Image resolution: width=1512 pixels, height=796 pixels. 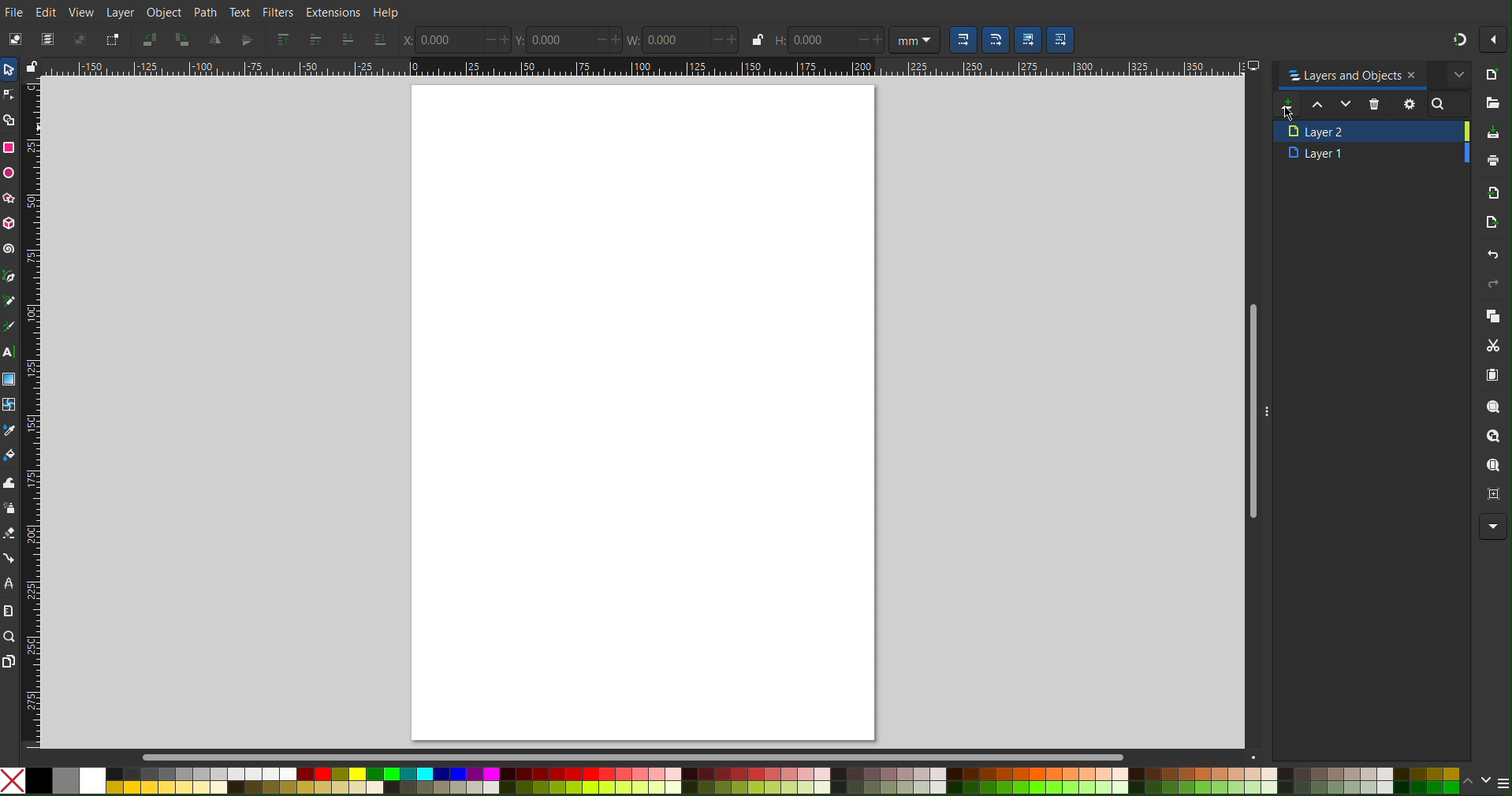 What do you see at coordinates (1490, 407) in the screenshot?
I see `Zoom Selection` at bounding box center [1490, 407].